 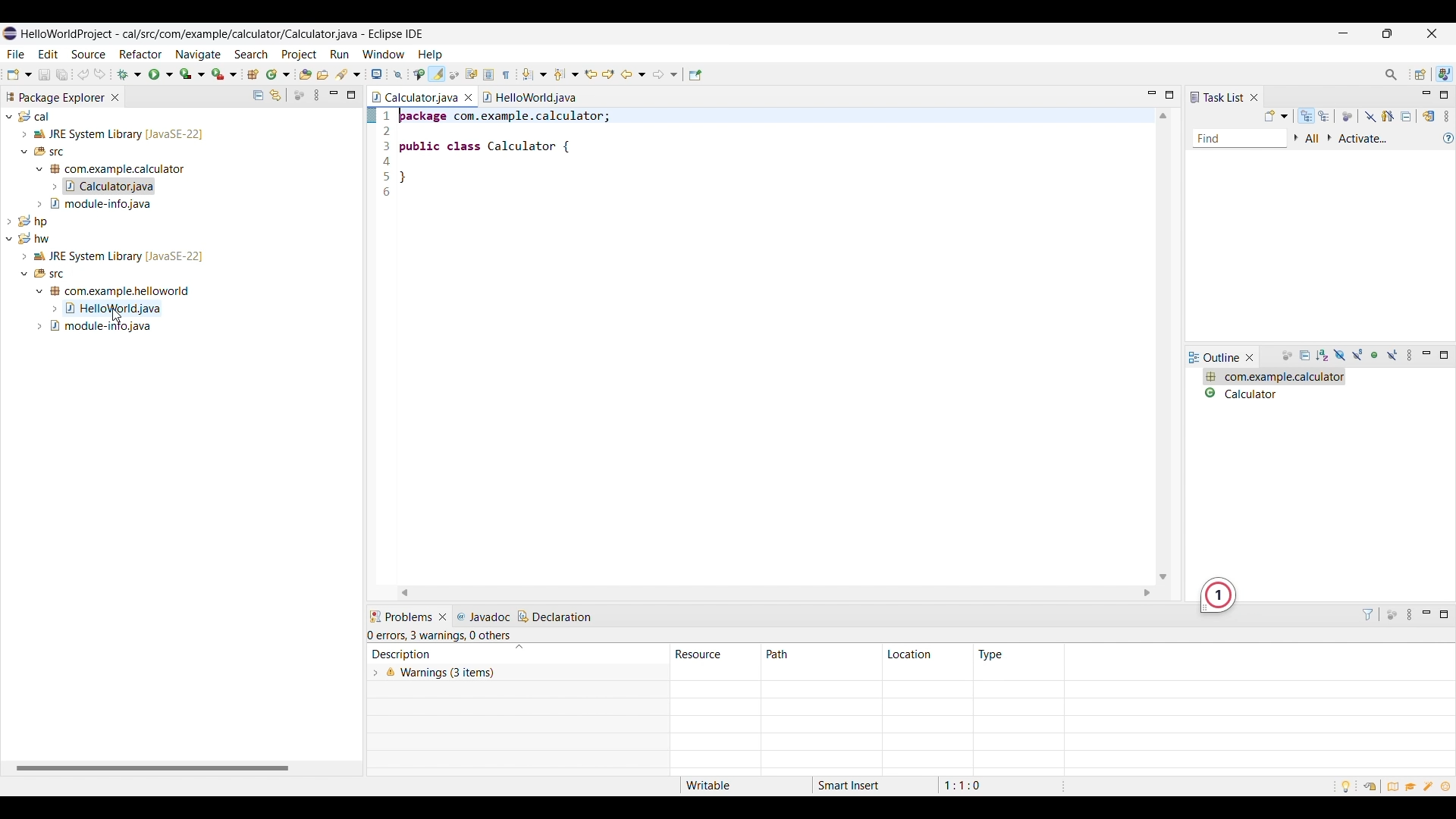 What do you see at coordinates (1307, 116) in the screenshot?
I see `Categorized, current selection` at bounding box center [1307, 116].